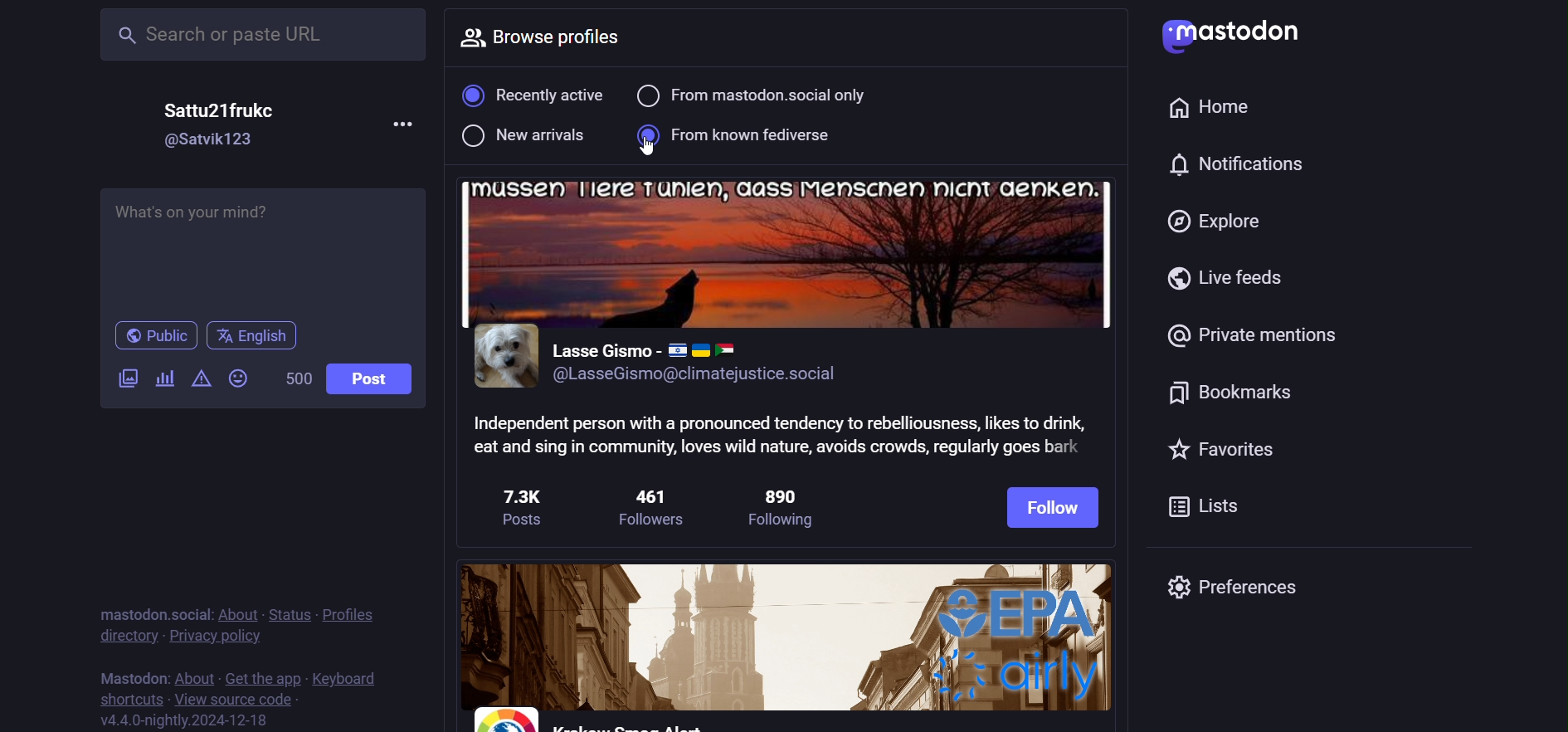 The height and width of the screenshot is (732, 1568). Describe the element at coordinates (372, 373) in the screenshot. I see `post` at that location.